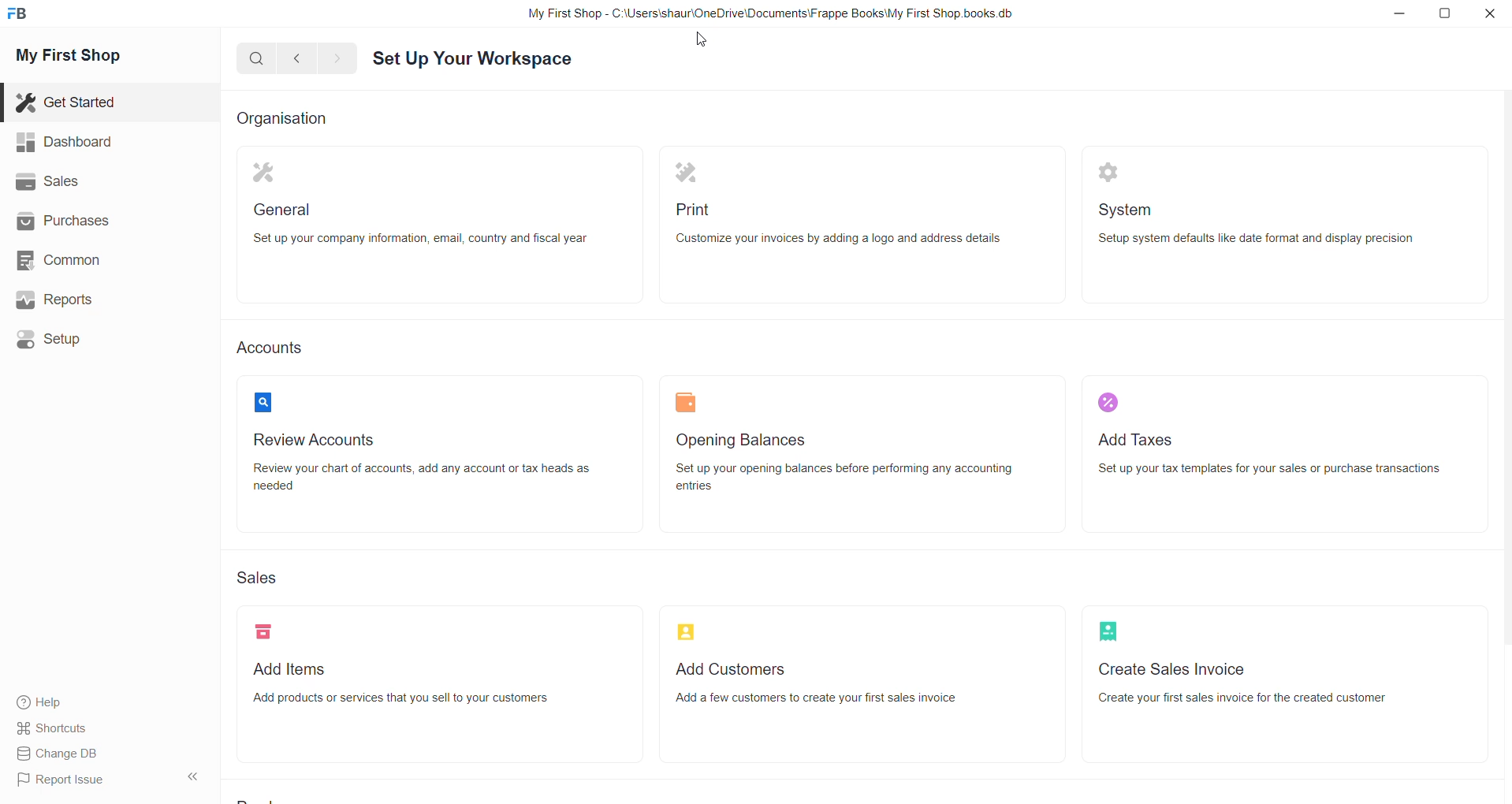 This screenshot has width=1512, height=804. What do you see at coordinates (287, 121) in the screenshot?
I see `Organisation` at bounding box center [287, 121].